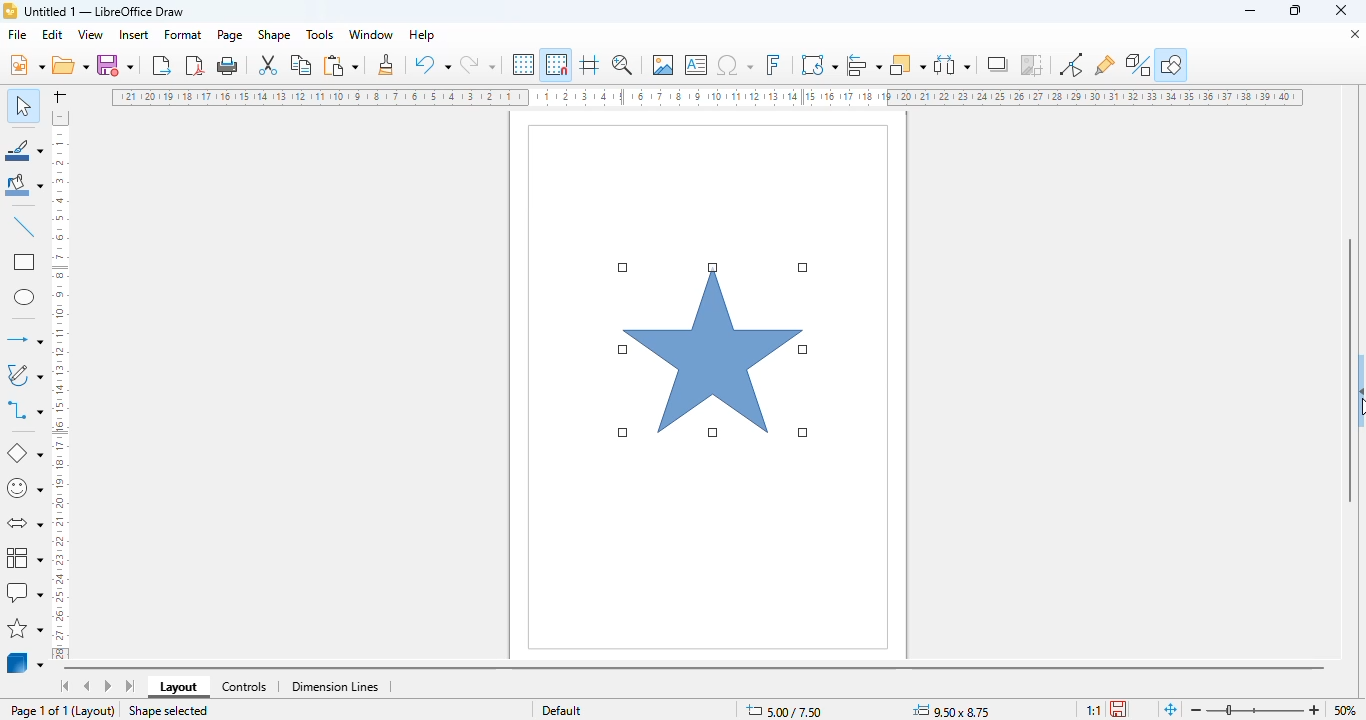 This screenshot has height=720, width=1366. I want to click on cut, so click(267, 64).